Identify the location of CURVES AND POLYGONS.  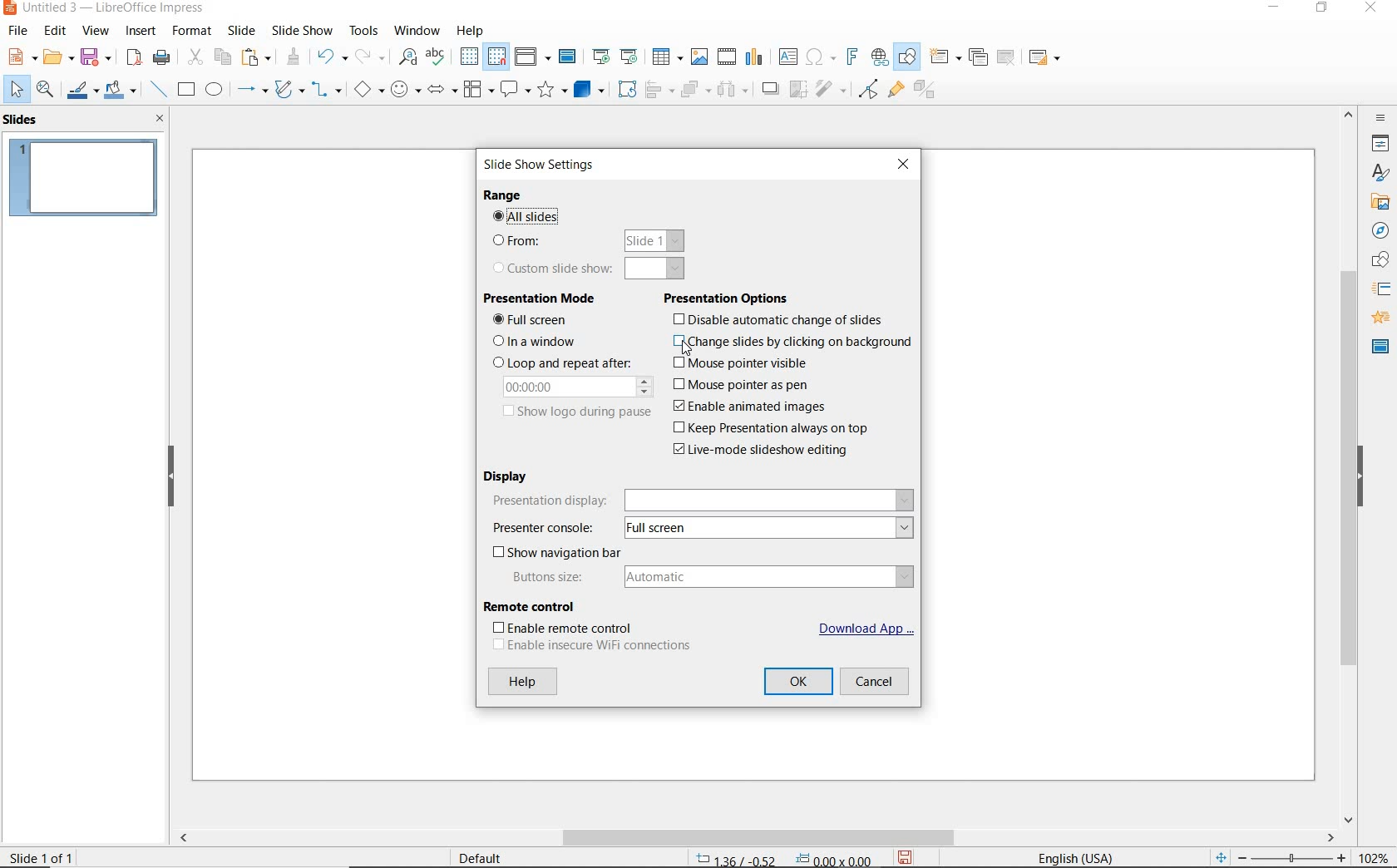
(290, 91).